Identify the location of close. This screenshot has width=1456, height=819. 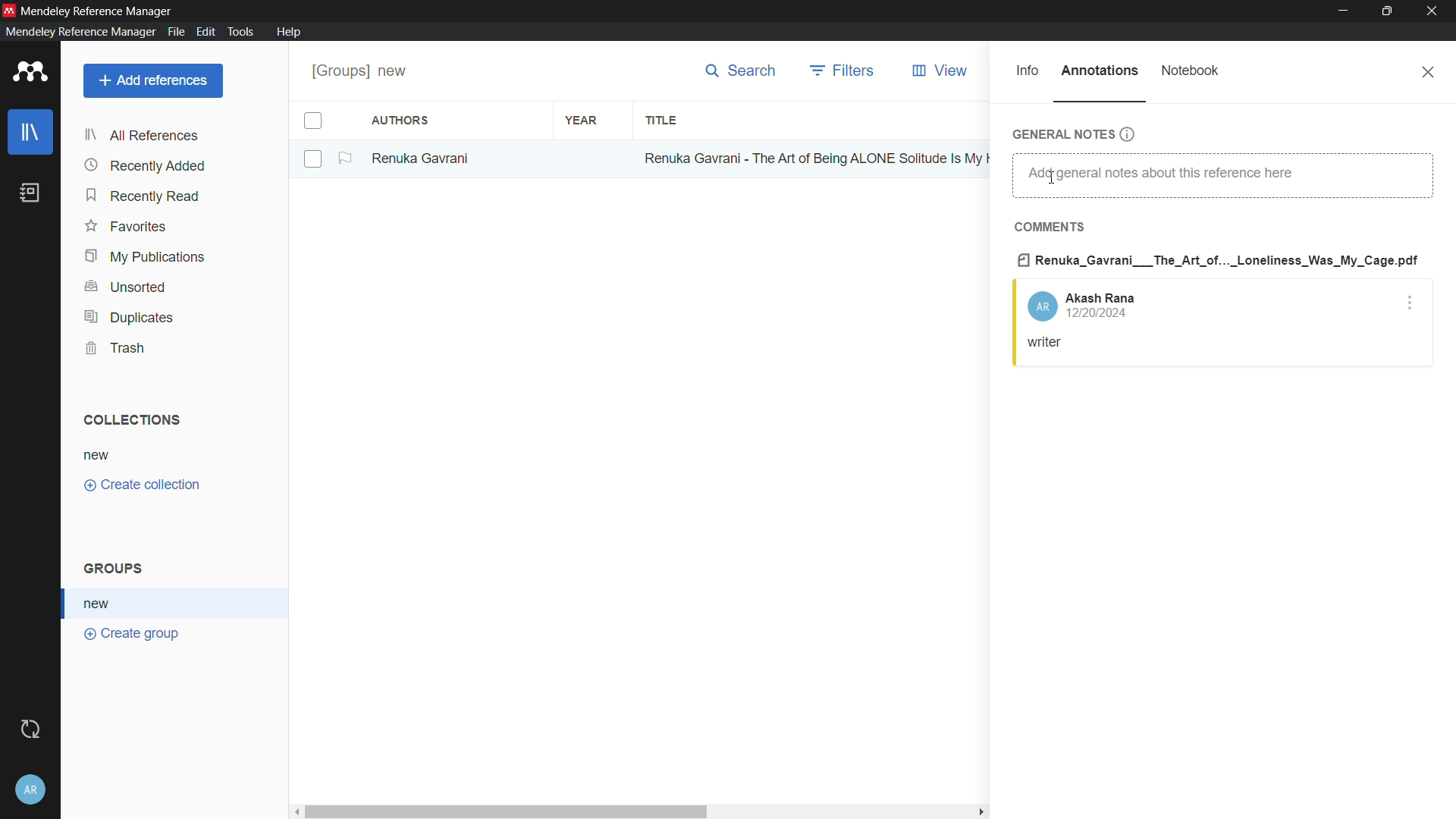
(1430, 72).